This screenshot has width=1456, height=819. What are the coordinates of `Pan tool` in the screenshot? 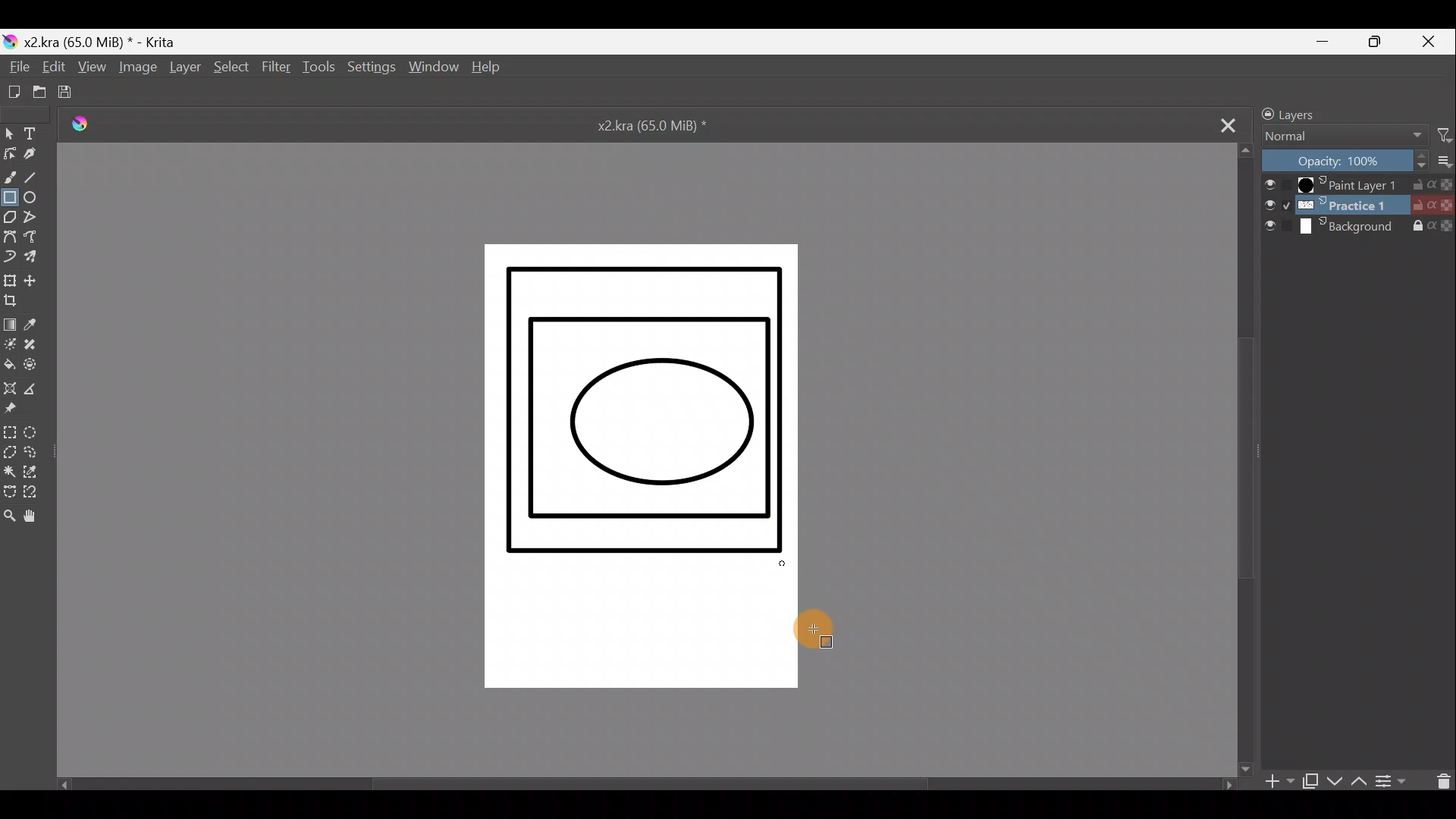 It's located at (36, 514).